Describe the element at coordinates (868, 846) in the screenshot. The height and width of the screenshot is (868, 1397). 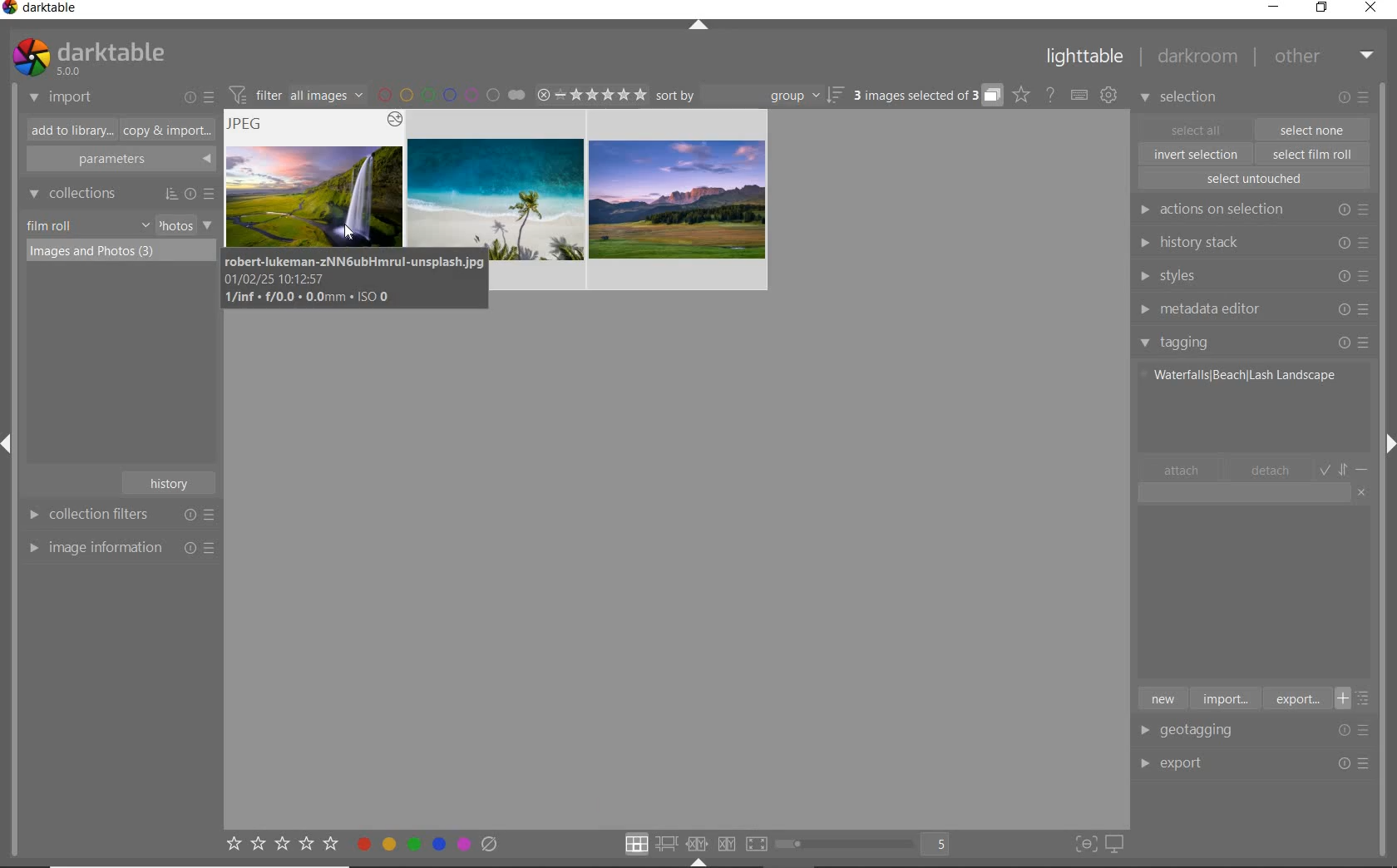
I see `toggle view` at that location.